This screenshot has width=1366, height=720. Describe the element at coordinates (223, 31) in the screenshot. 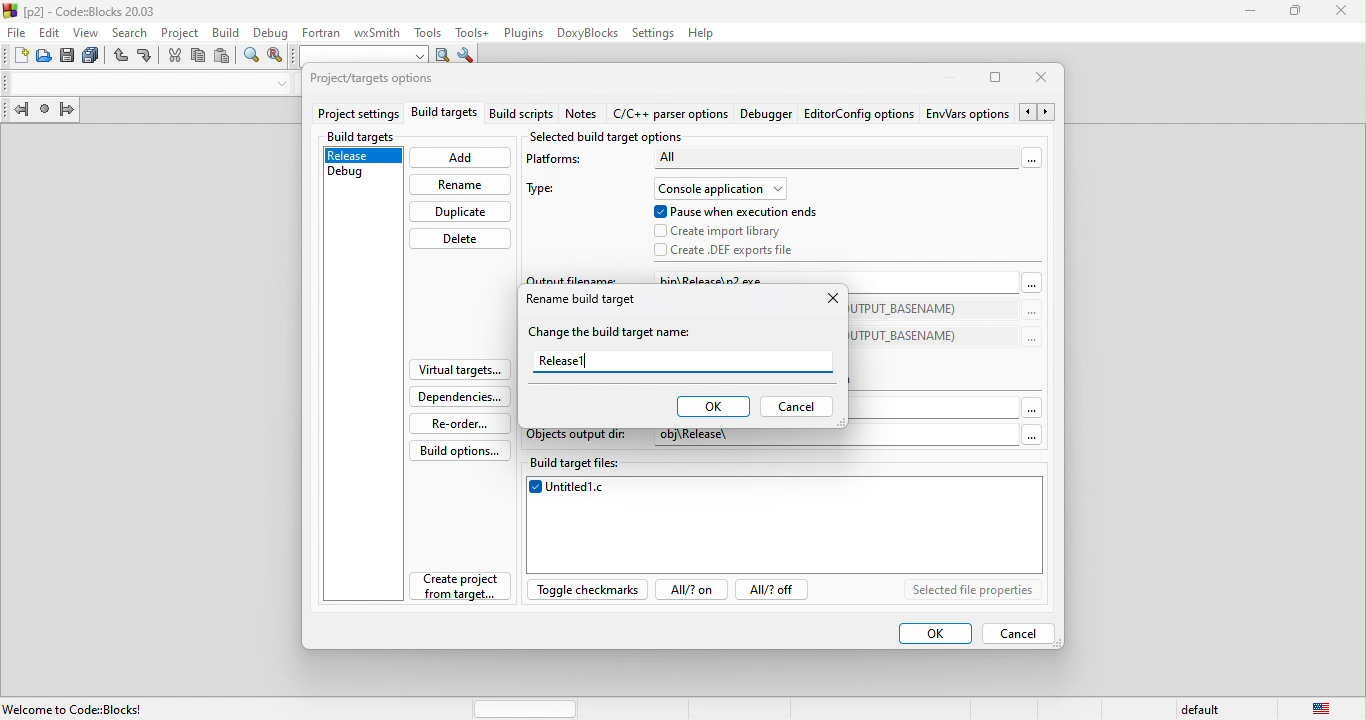

I see `build` at that location.